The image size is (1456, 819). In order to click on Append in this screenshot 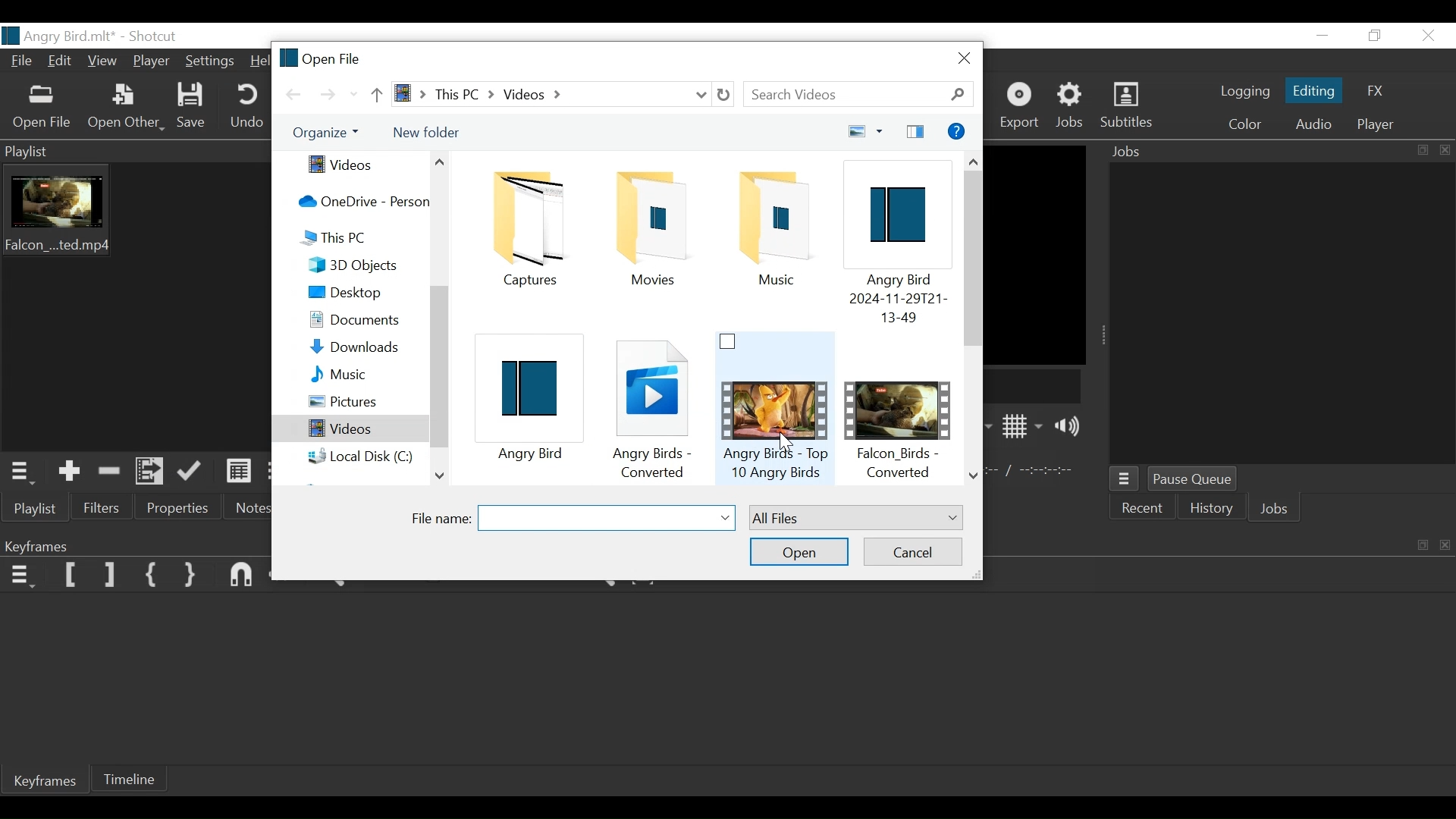, I will do `click(192, 472)`.